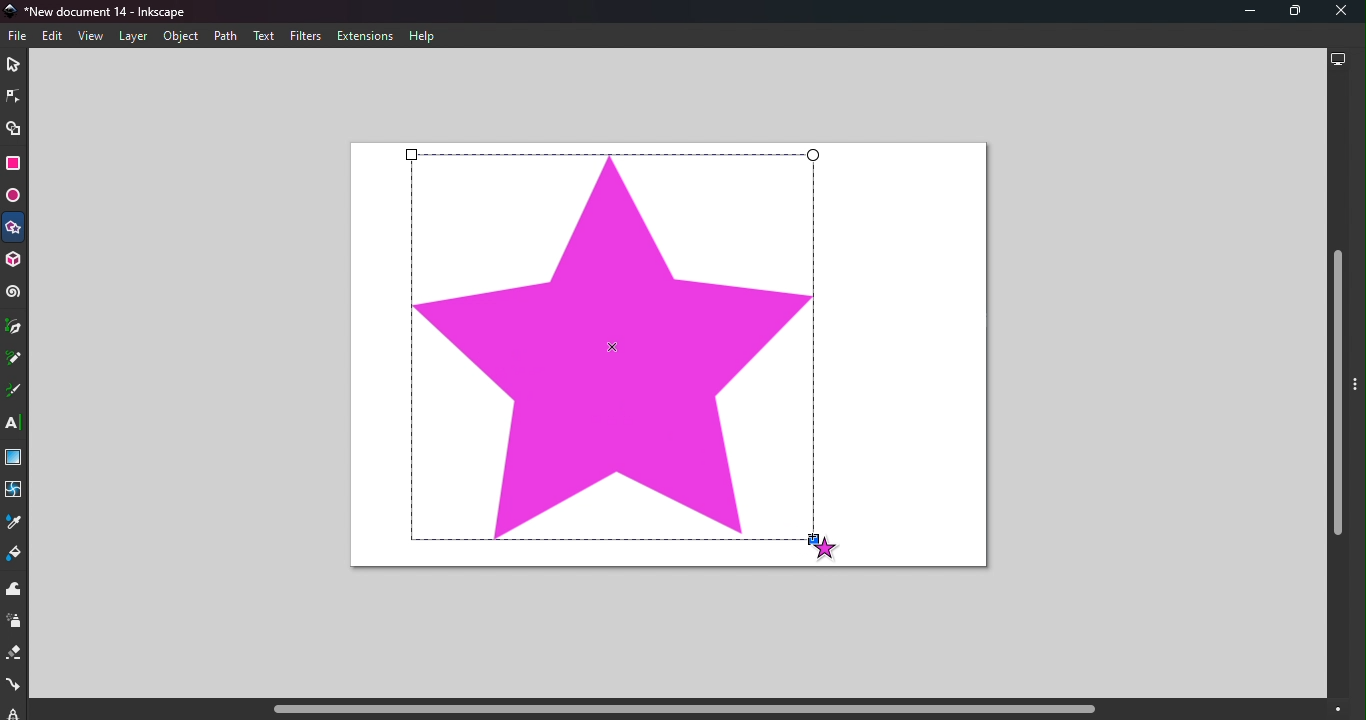  I want to click on Maximize tool, so click(1290, 11).